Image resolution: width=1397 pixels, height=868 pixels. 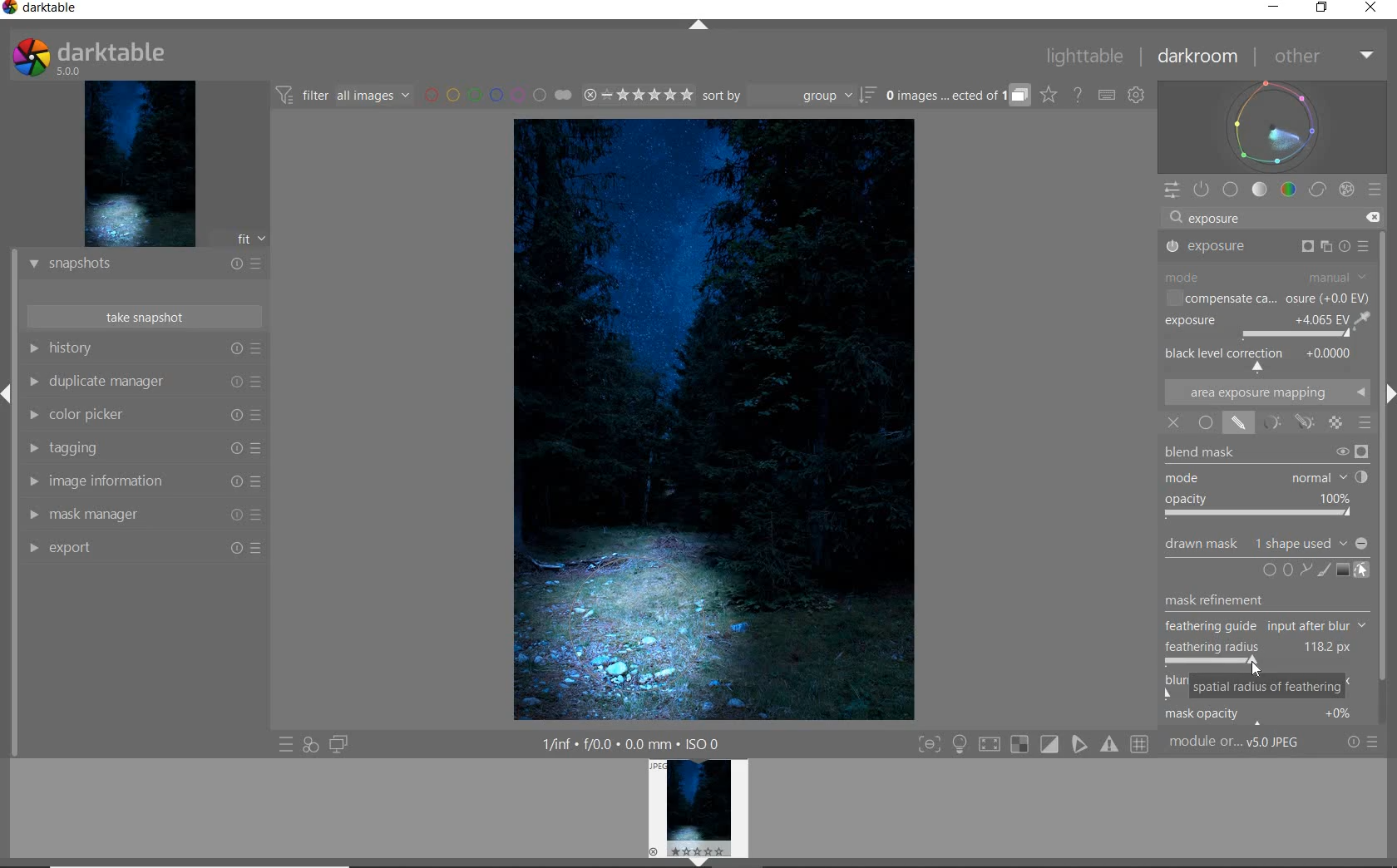 I want to click on TAGGING, so click(x=142, y=448).